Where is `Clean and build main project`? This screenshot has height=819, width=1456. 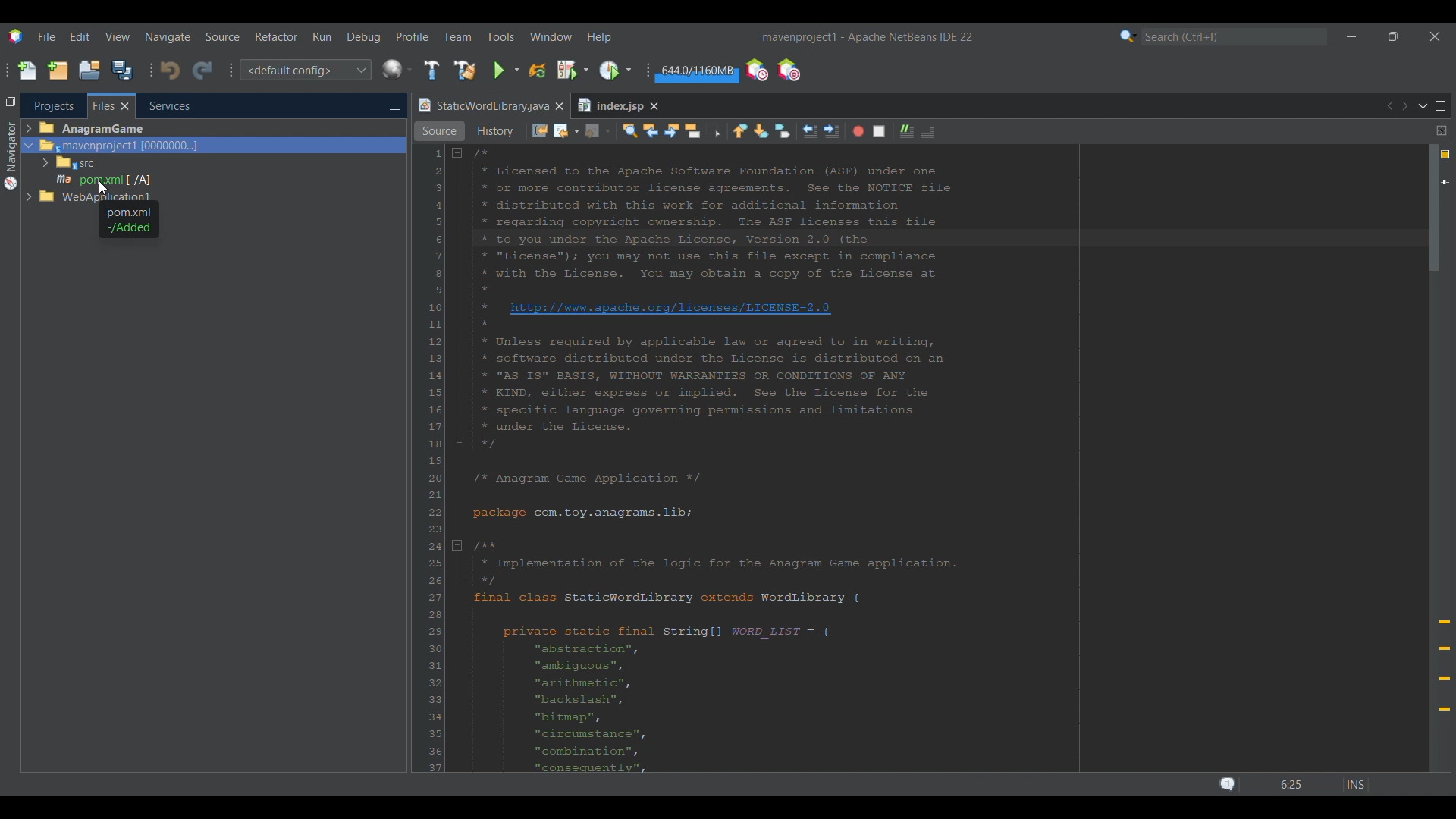 Clean and build main project is located at coordinates (465, 71).